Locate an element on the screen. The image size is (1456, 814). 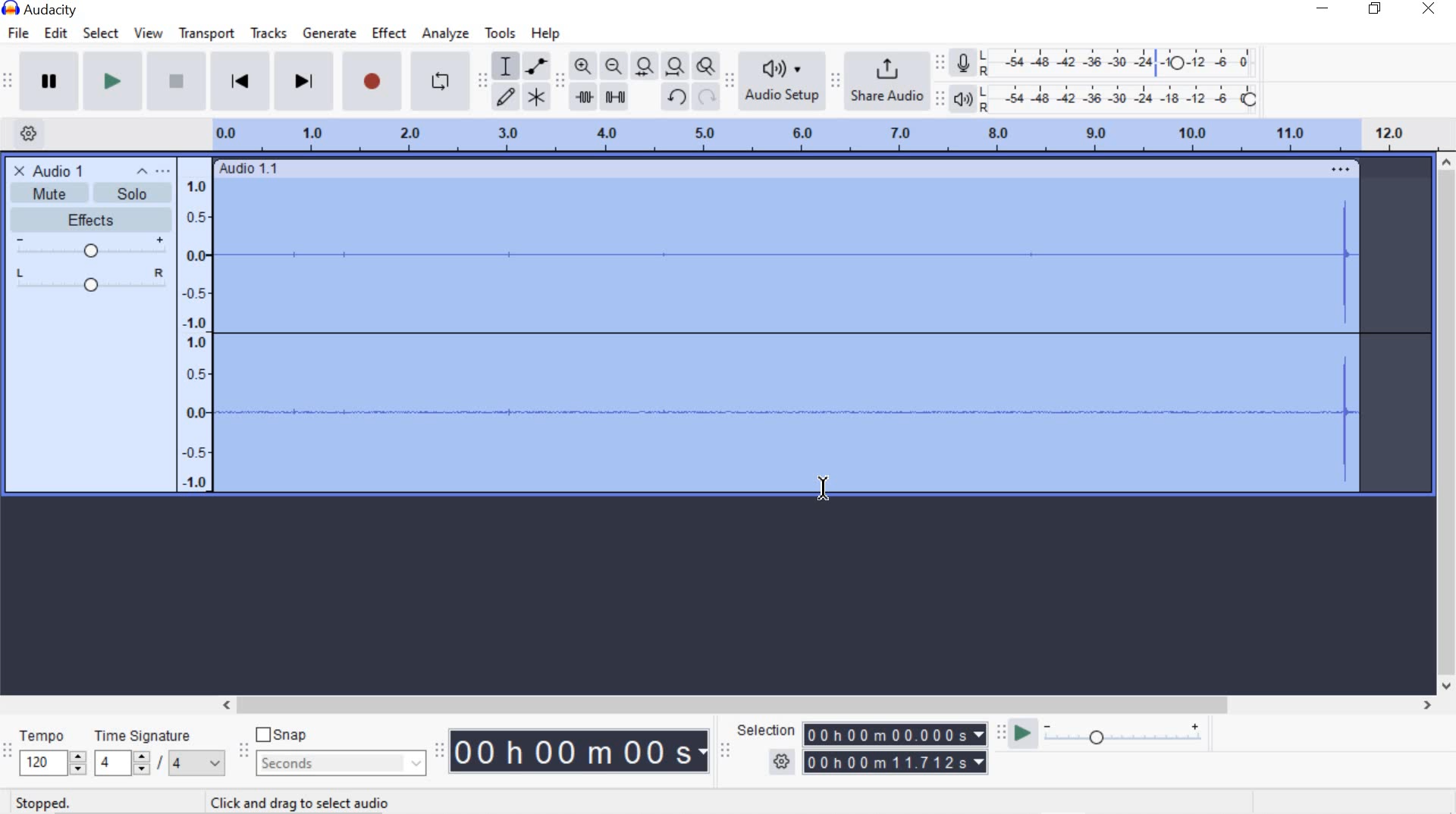
TIME SIGNATURE is located at coordinates (158, 753).